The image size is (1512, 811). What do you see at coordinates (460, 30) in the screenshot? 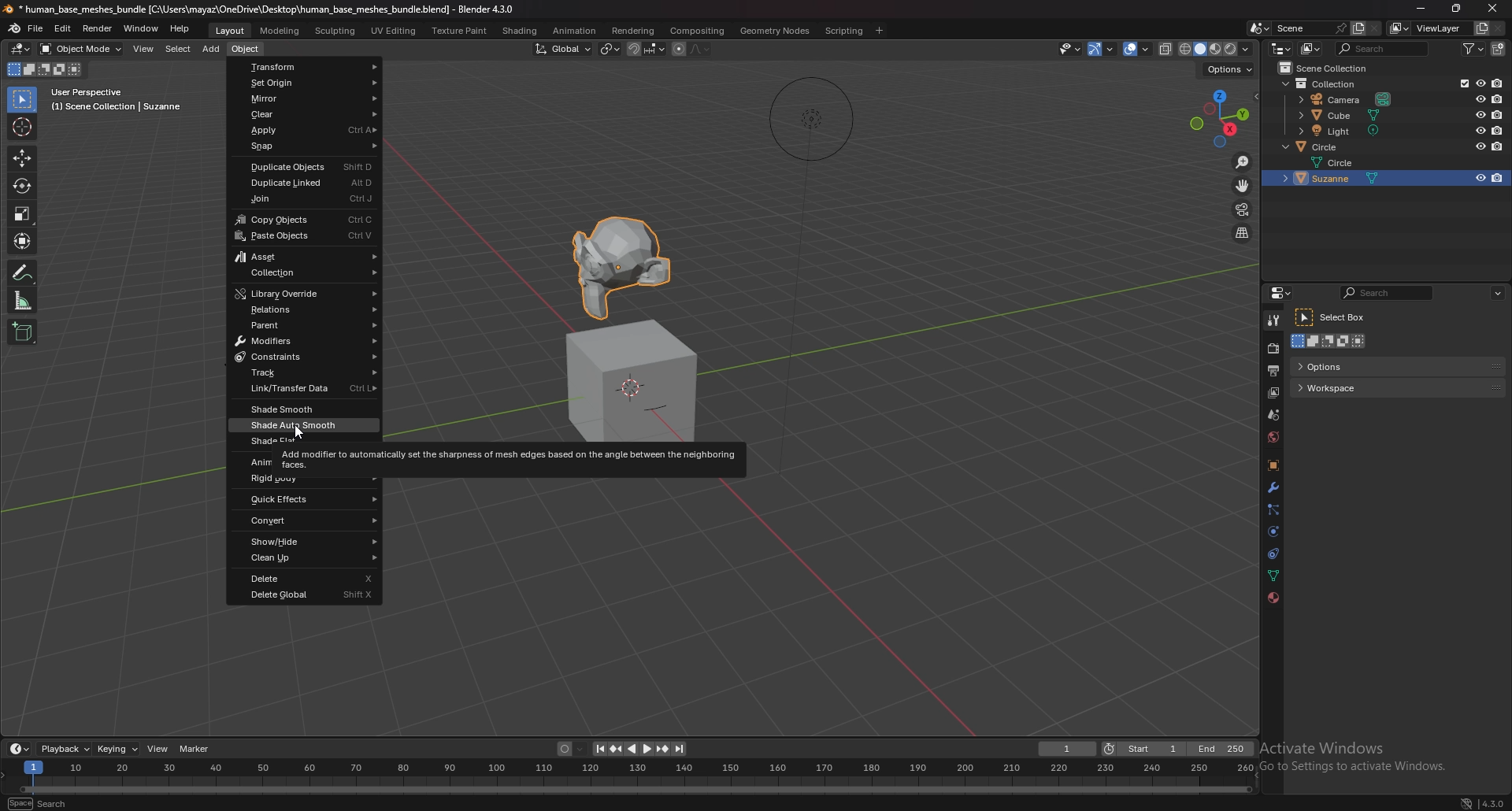
I see `texture paint` at bounding box center [460, 30].